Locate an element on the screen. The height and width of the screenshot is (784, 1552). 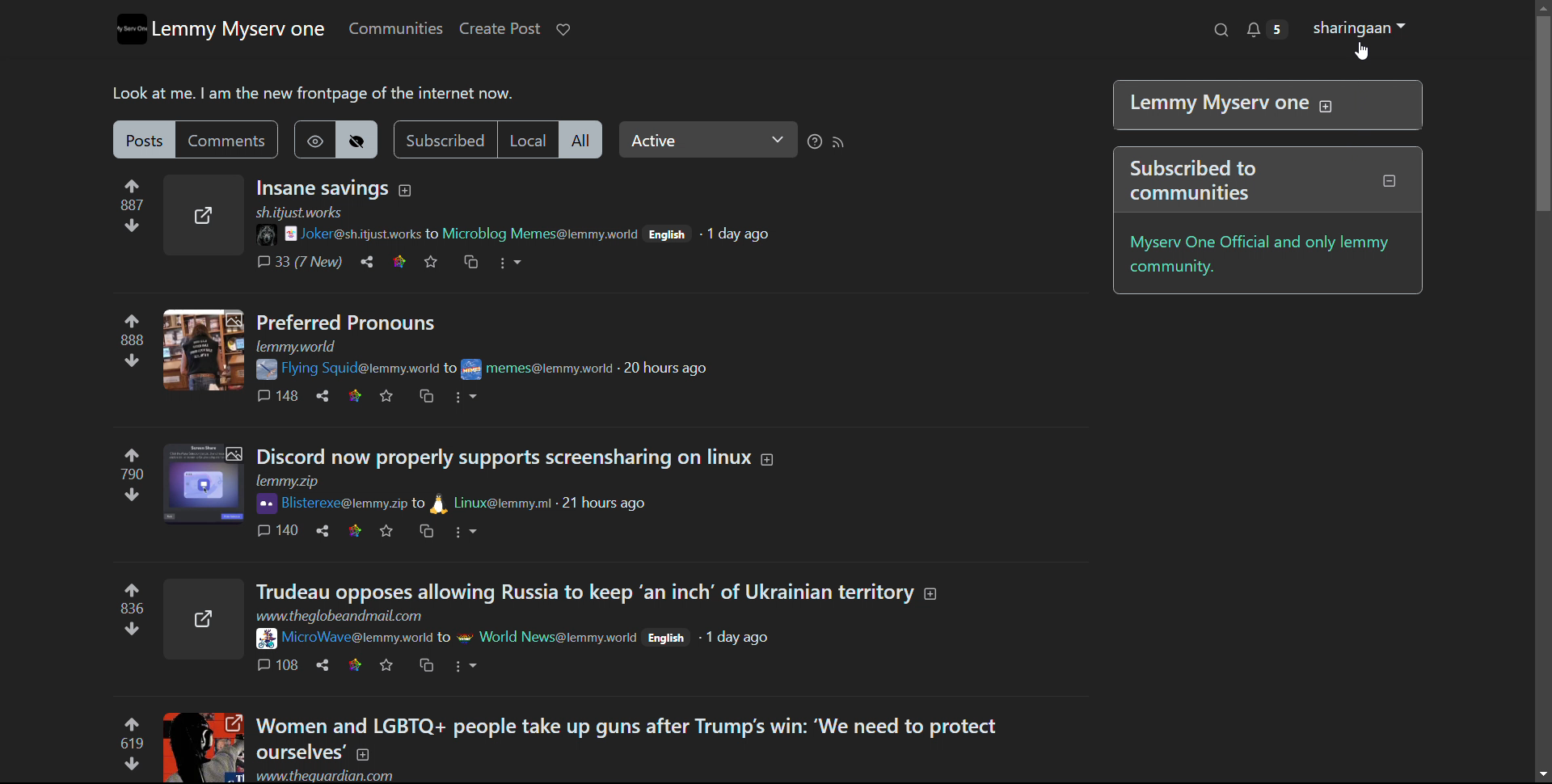
logo is located at coordinates (129, 29).